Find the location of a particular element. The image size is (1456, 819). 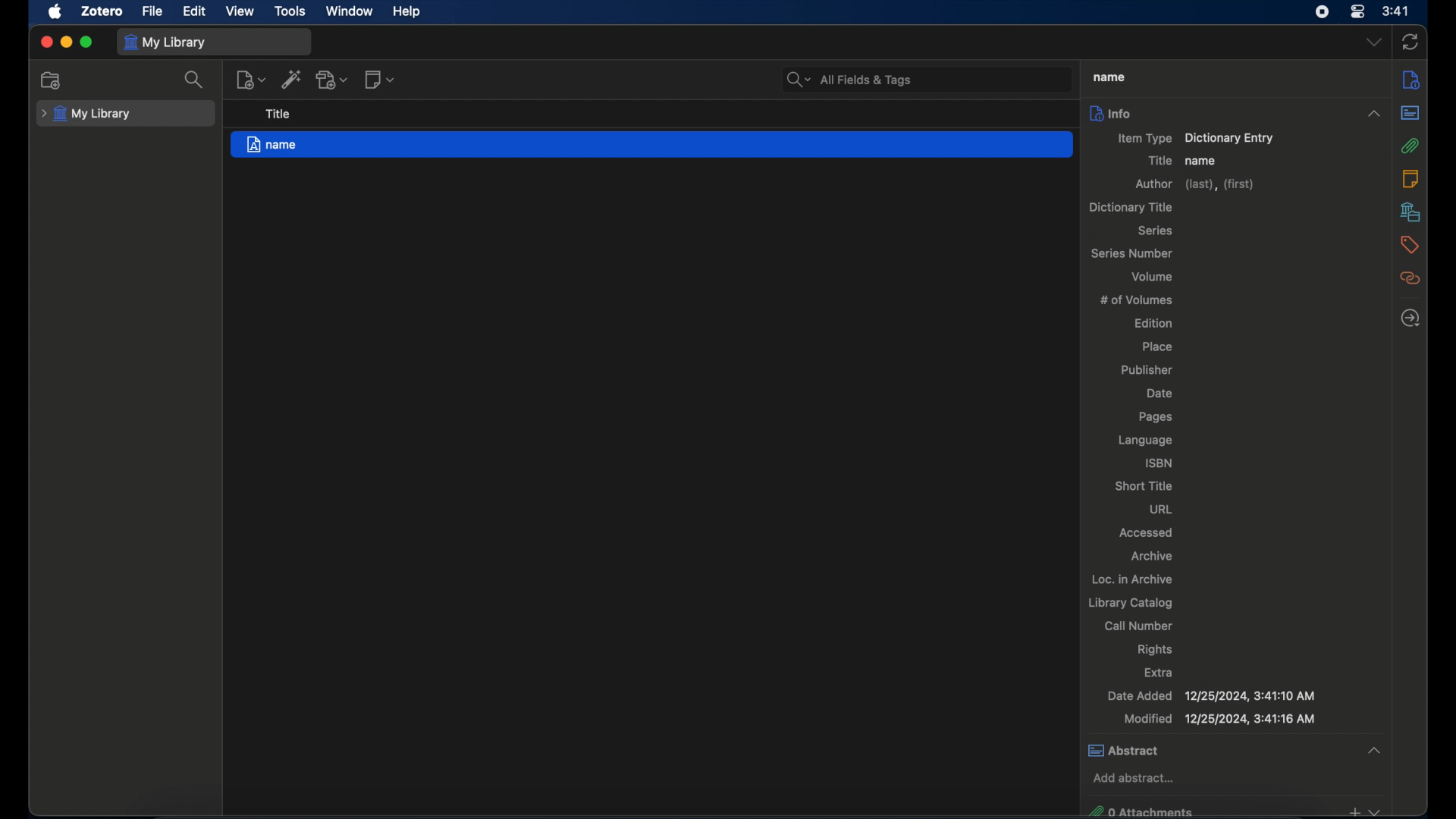

add attachment is located at coordinates (332, 80).